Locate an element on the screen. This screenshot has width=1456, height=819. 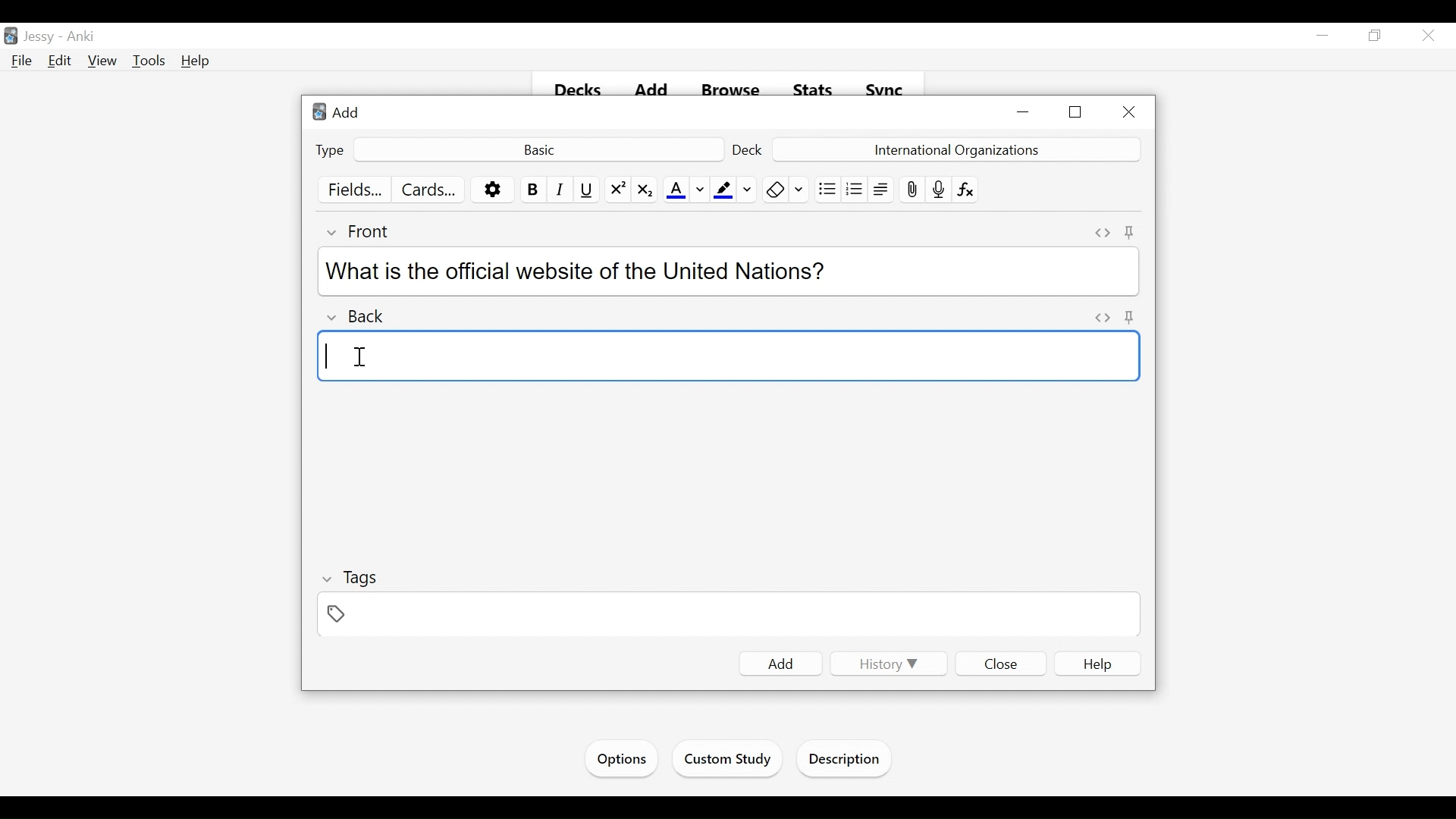
Text Color is located at coordinates (675, 190).